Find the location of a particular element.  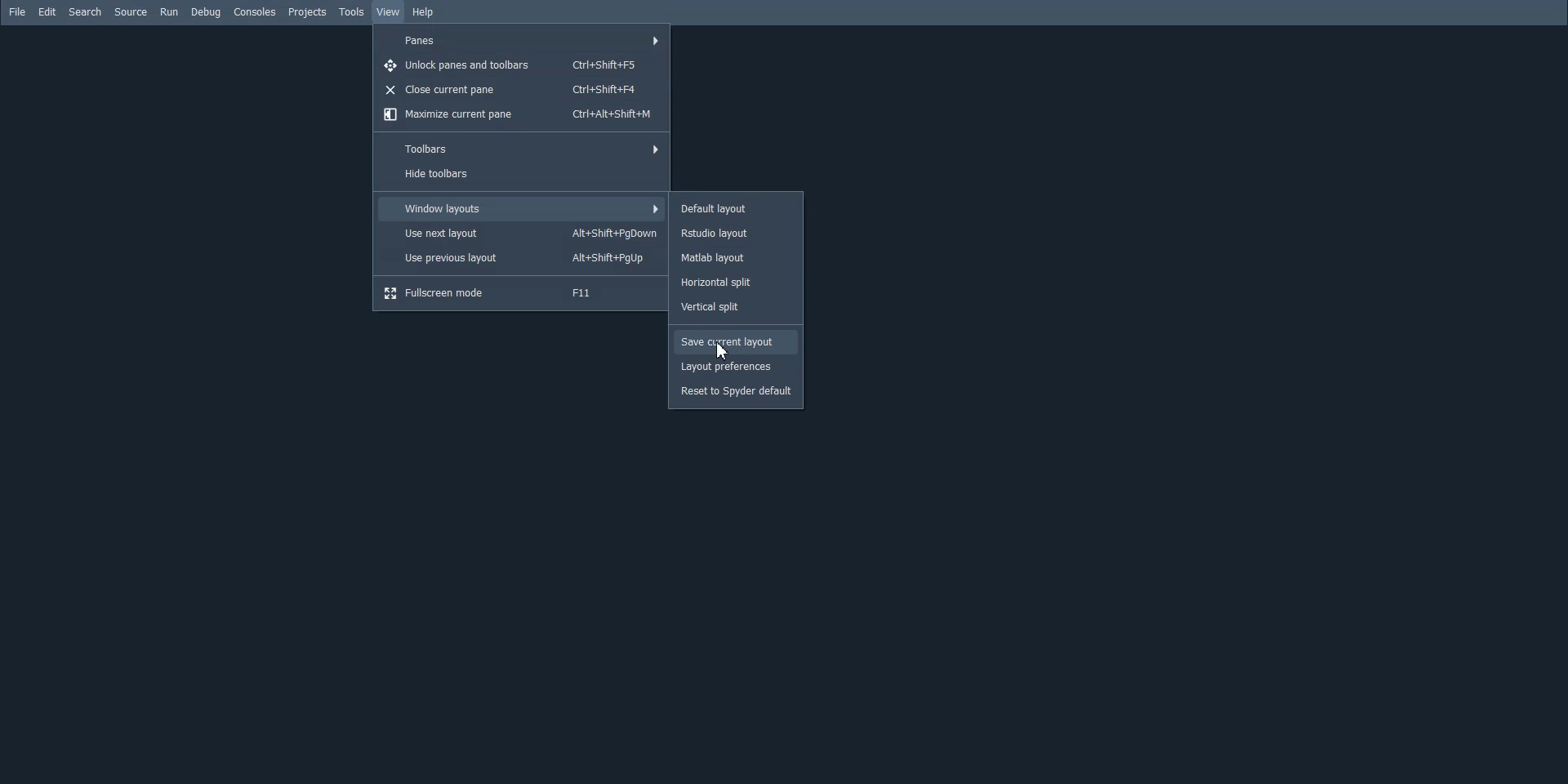

Layout preferences is located at coordinates (737, 367).